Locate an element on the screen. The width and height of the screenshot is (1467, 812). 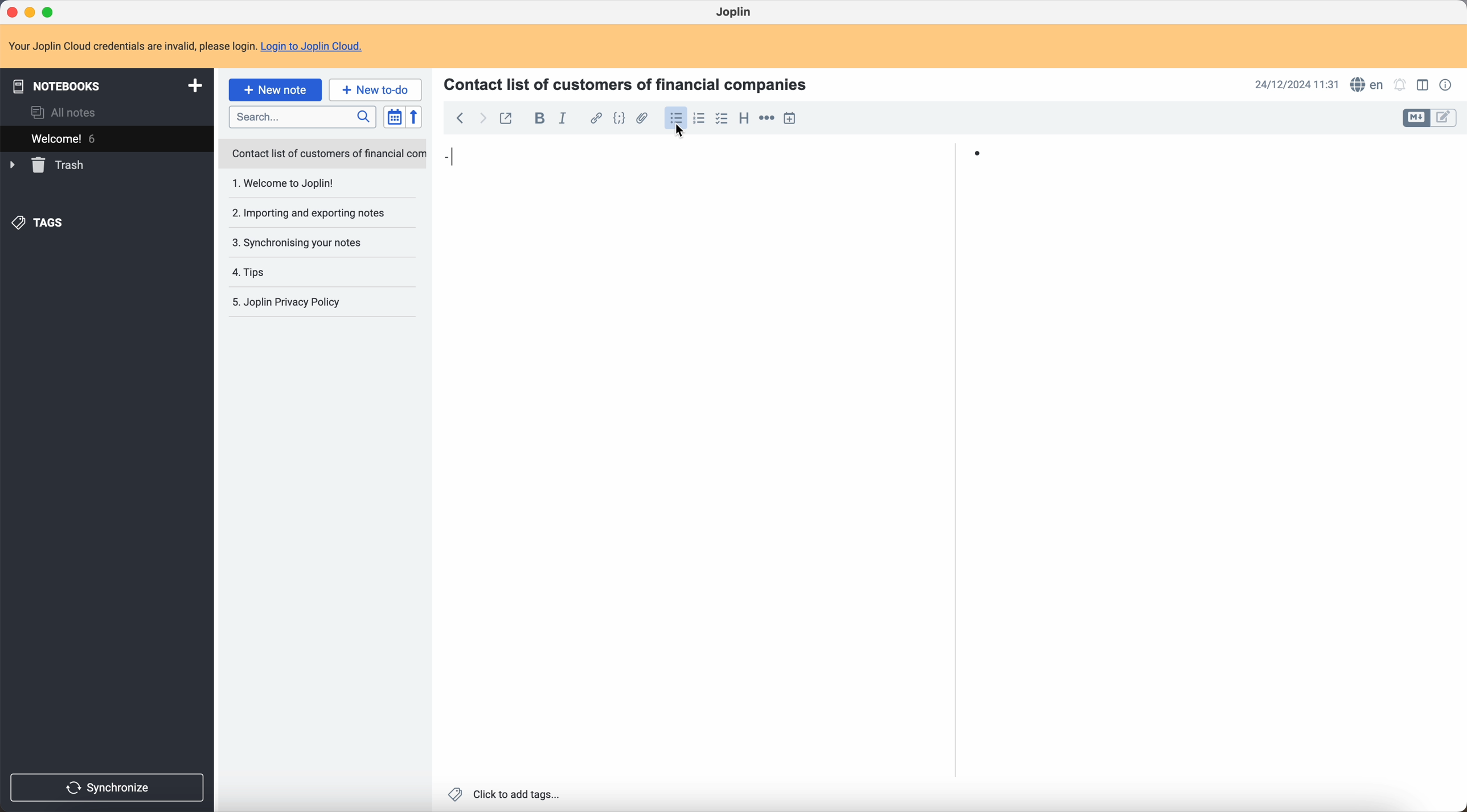
all notes is located at coordinates (64, 111).